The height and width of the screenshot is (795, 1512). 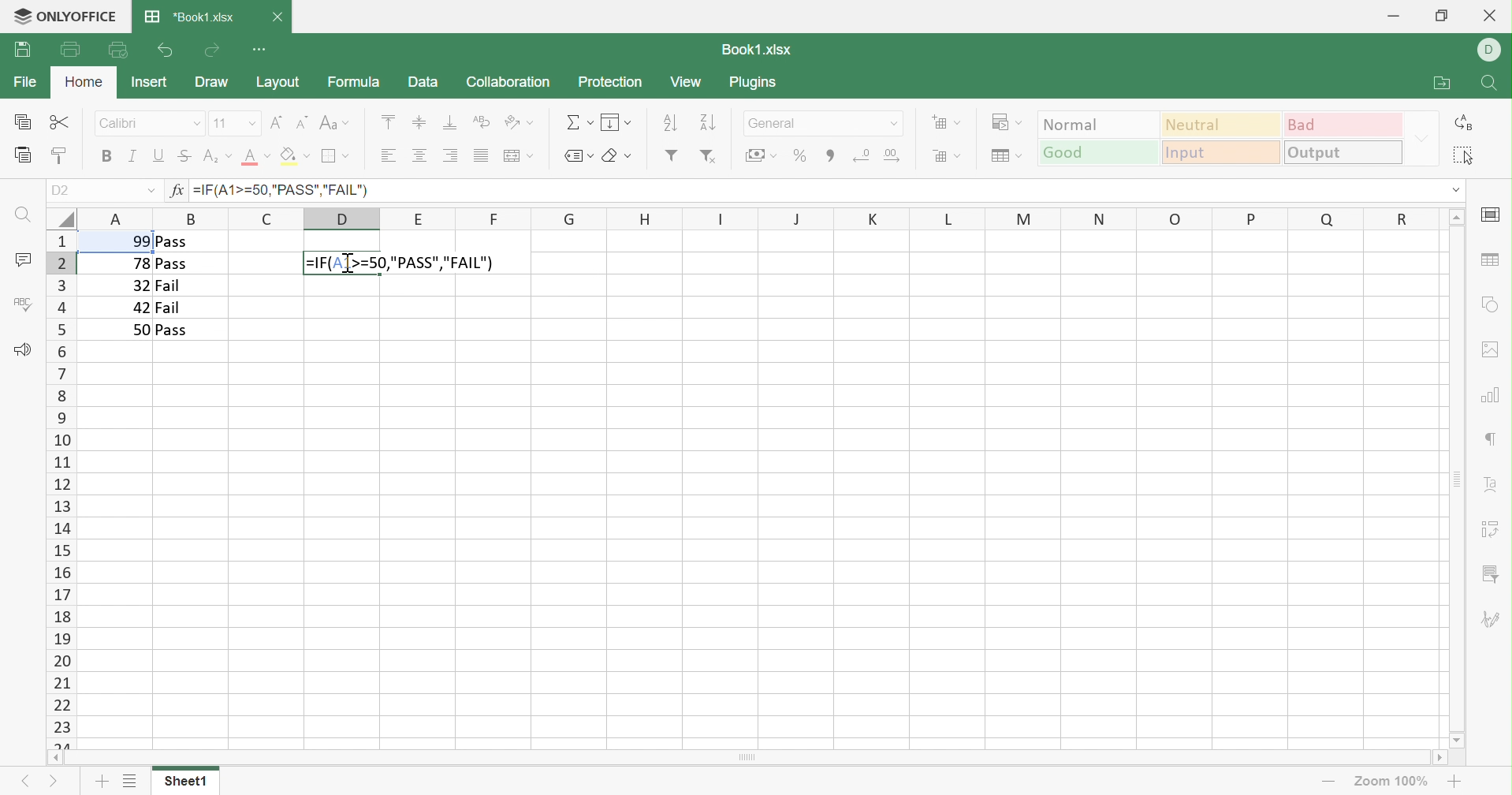 What do you see at coordinates (518, 123) in the screenshot?
I see `Orientation` at bounding box center [518, 123].